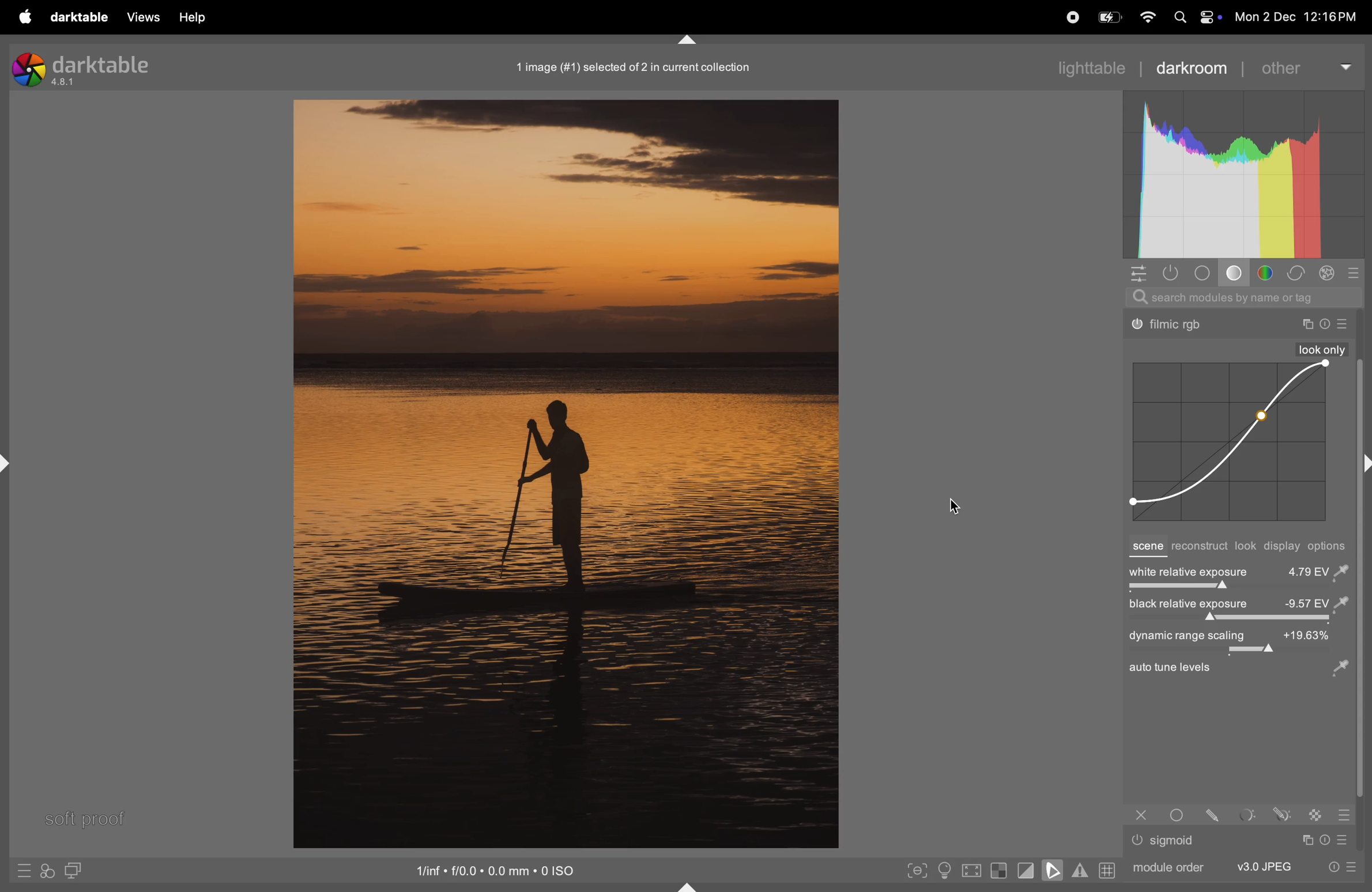 The image size is (1372, 892). I want to click on double window, so click(71, 872).